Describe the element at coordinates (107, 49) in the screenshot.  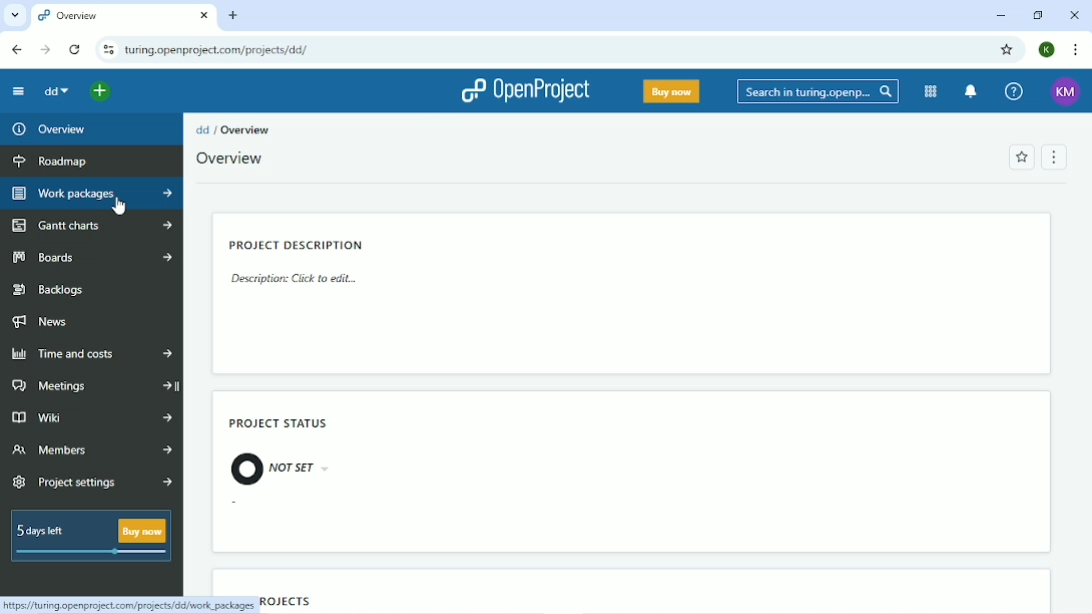
I see `View site information` at that location.